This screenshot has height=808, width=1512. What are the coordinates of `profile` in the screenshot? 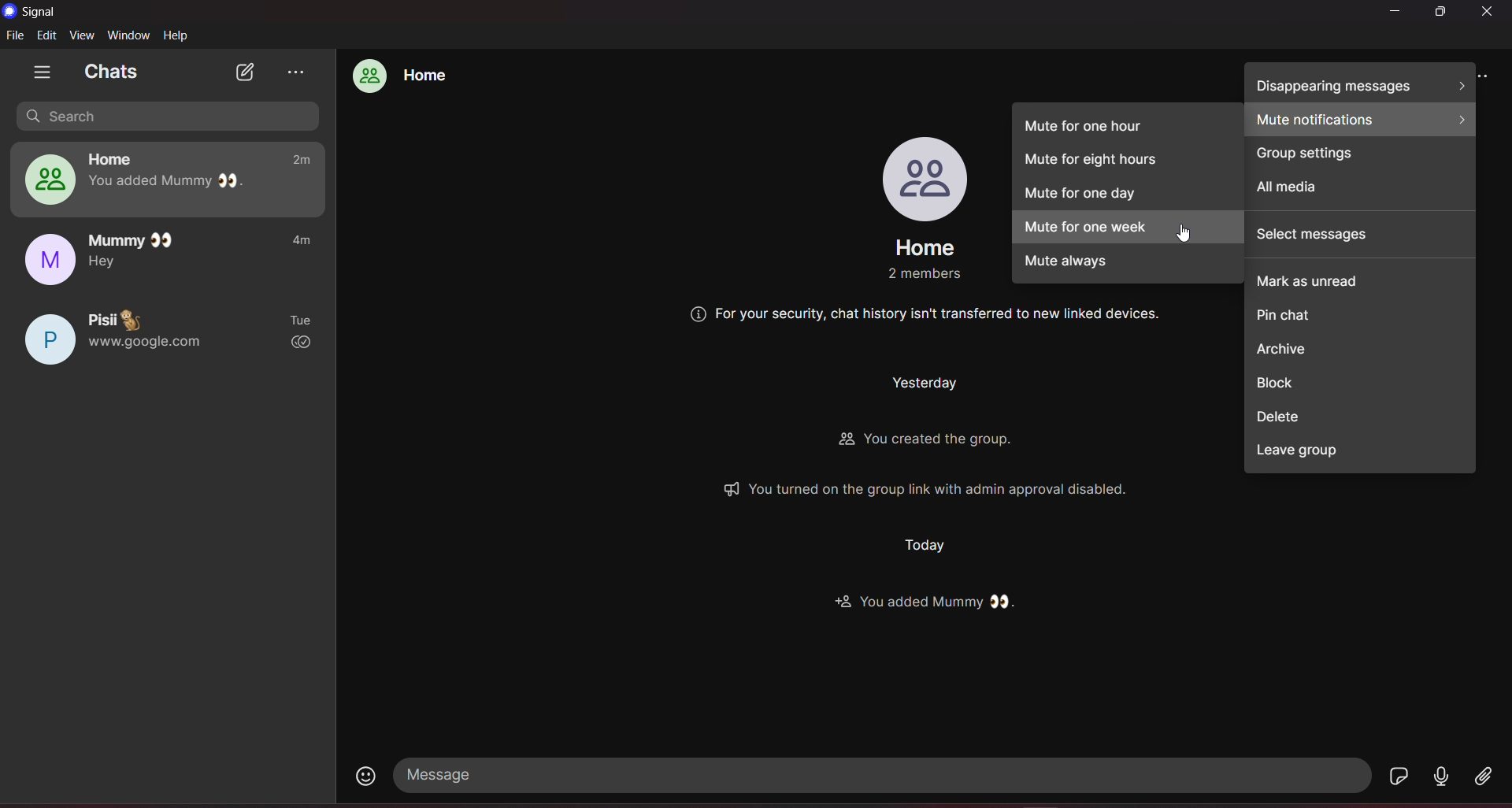 It's located at (923, 176).